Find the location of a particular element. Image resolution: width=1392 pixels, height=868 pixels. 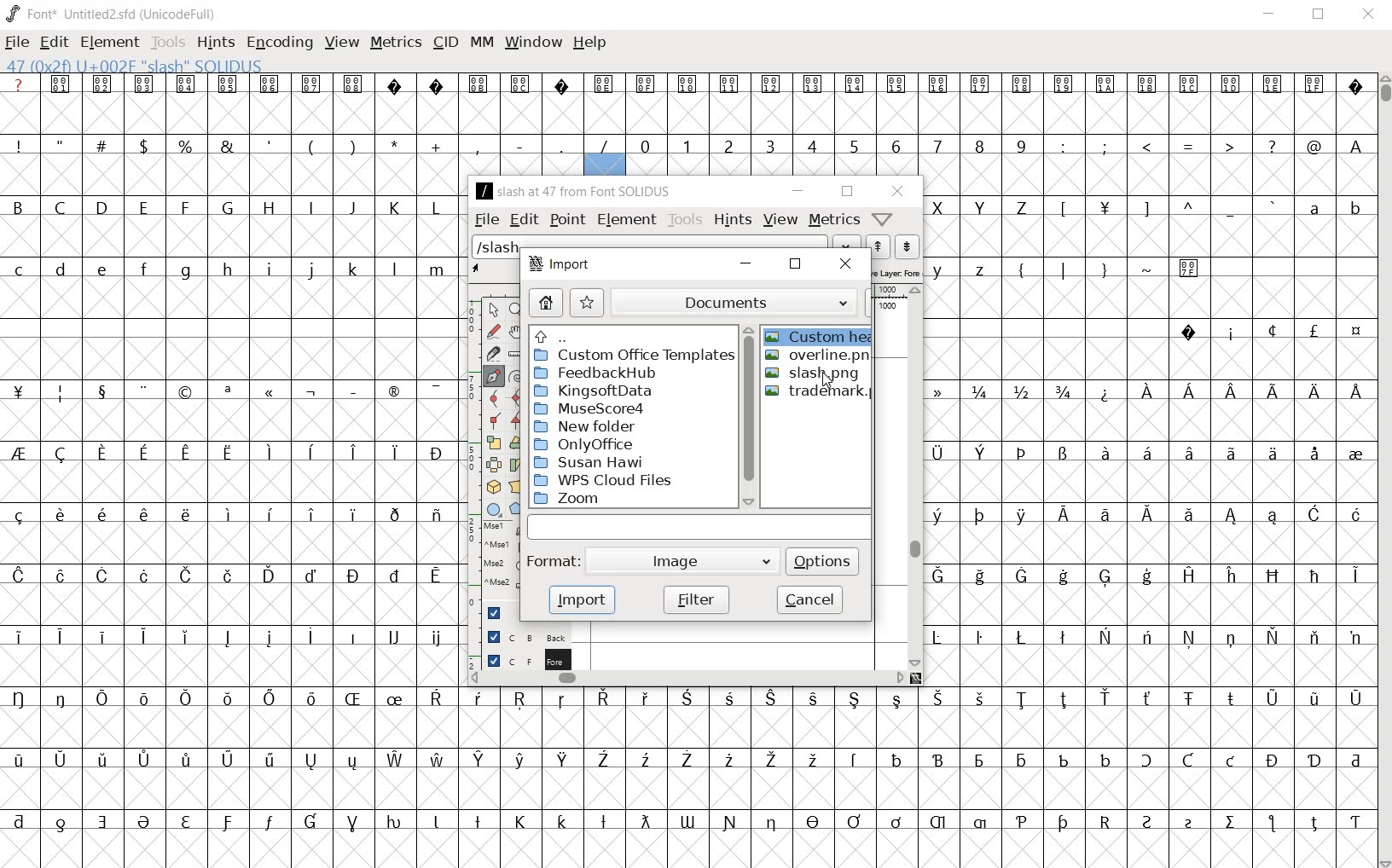

flip the selection is located at coordinates (493, 466).